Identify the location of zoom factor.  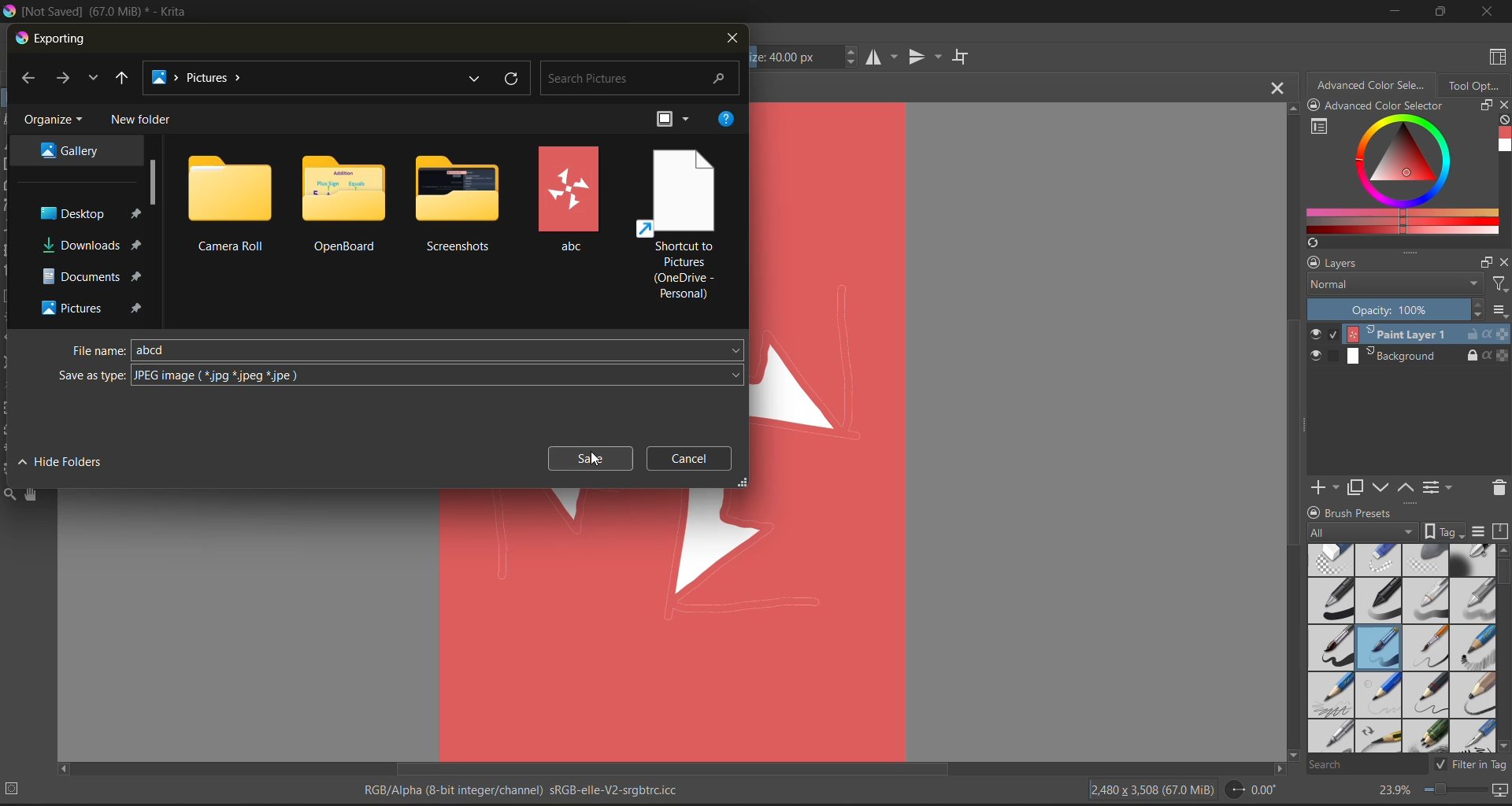
(1396, 790).